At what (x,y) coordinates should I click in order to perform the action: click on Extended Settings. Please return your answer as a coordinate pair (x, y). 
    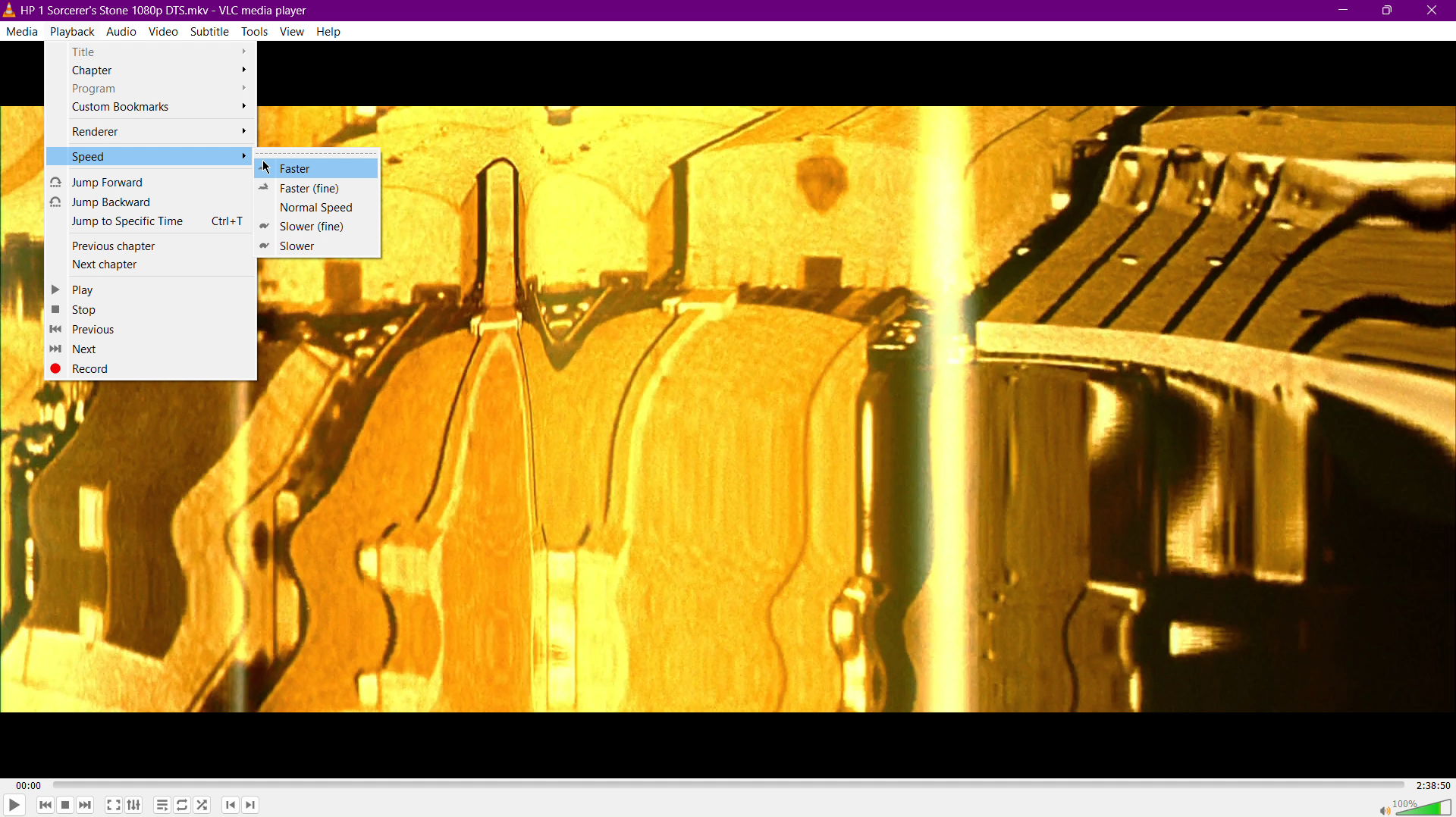
    Looking at the image, I should click on (135, 803).